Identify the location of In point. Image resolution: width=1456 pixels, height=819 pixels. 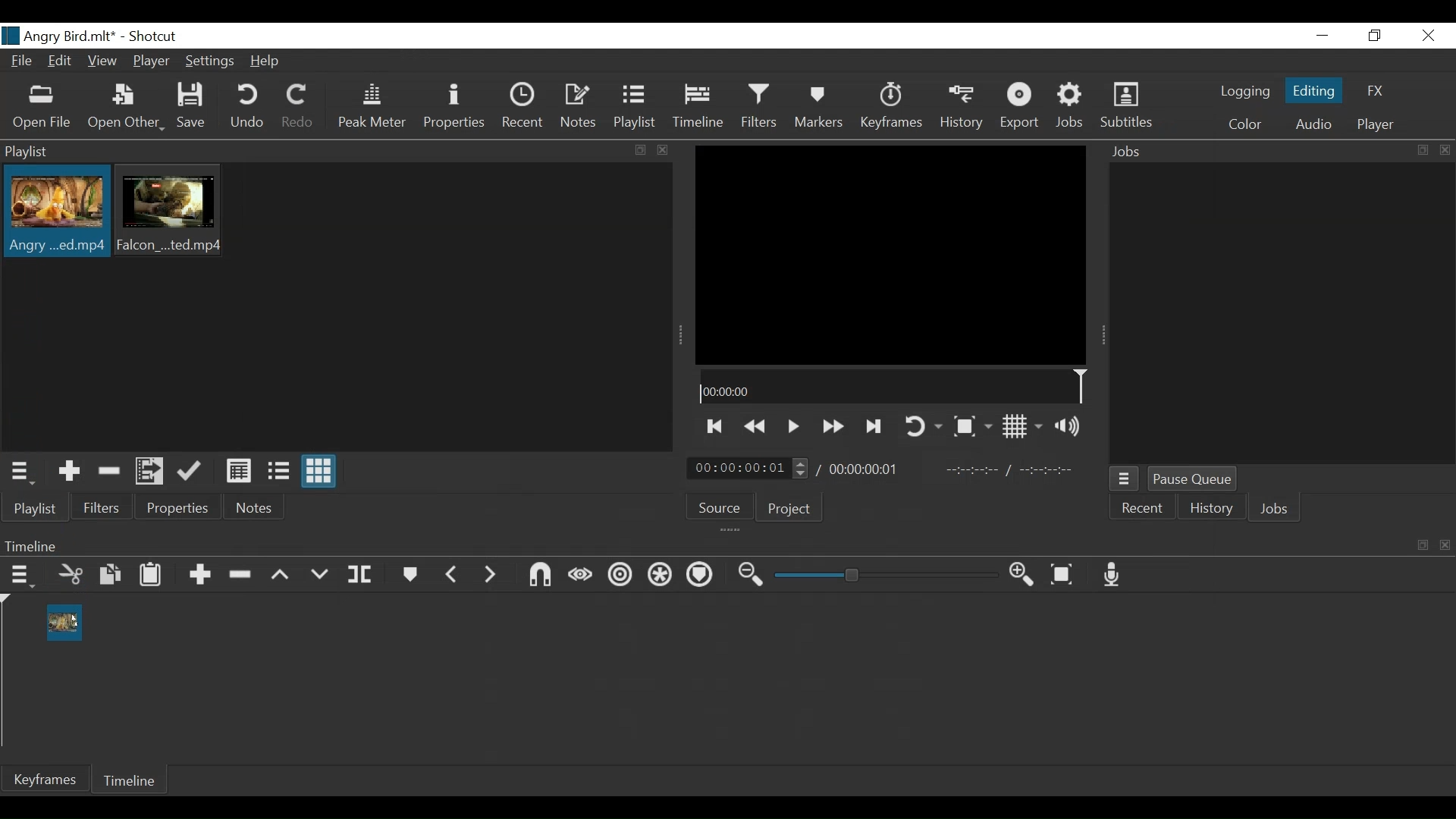
(1012, 469).